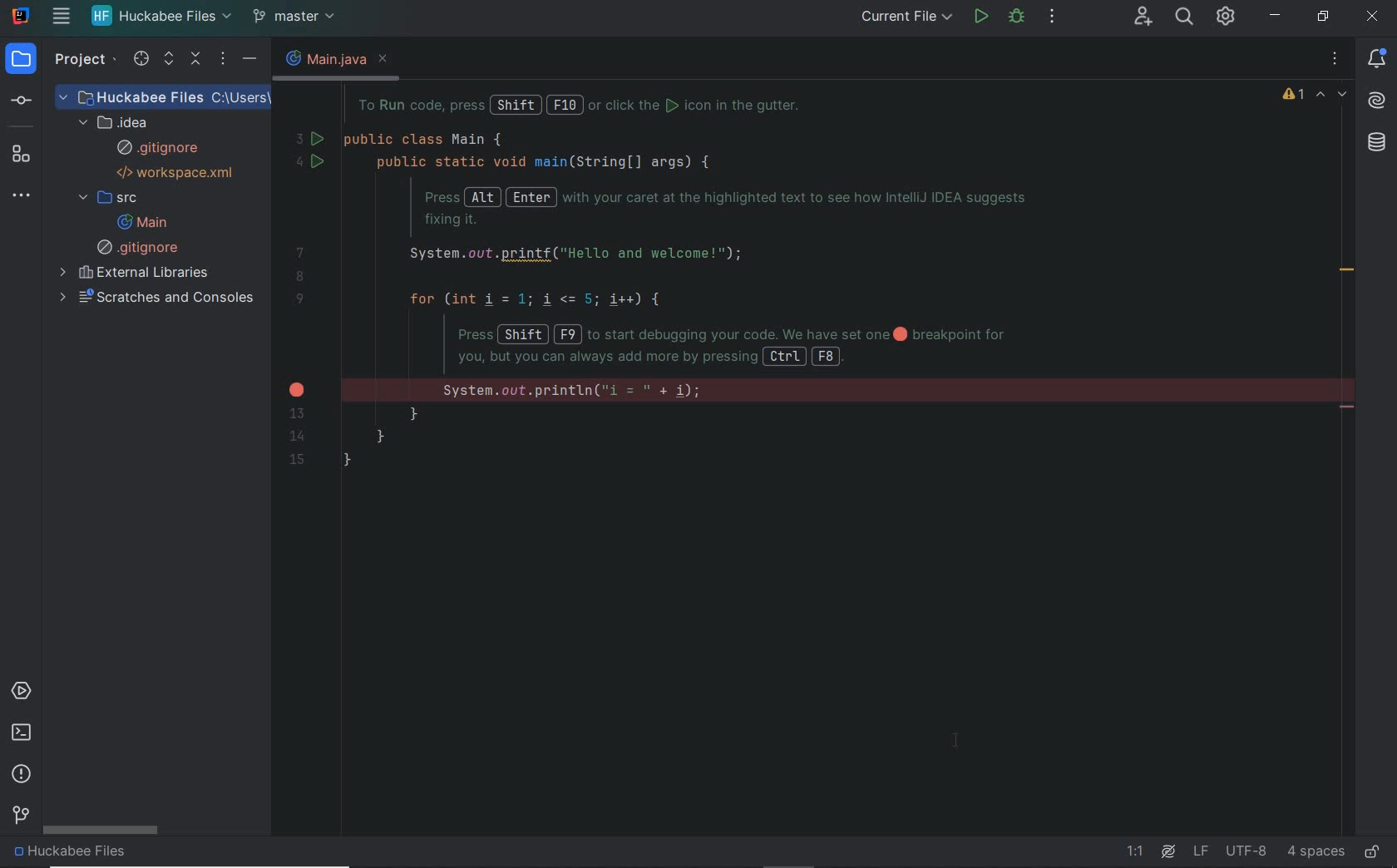  I want to click on hide, so click(250, 60).